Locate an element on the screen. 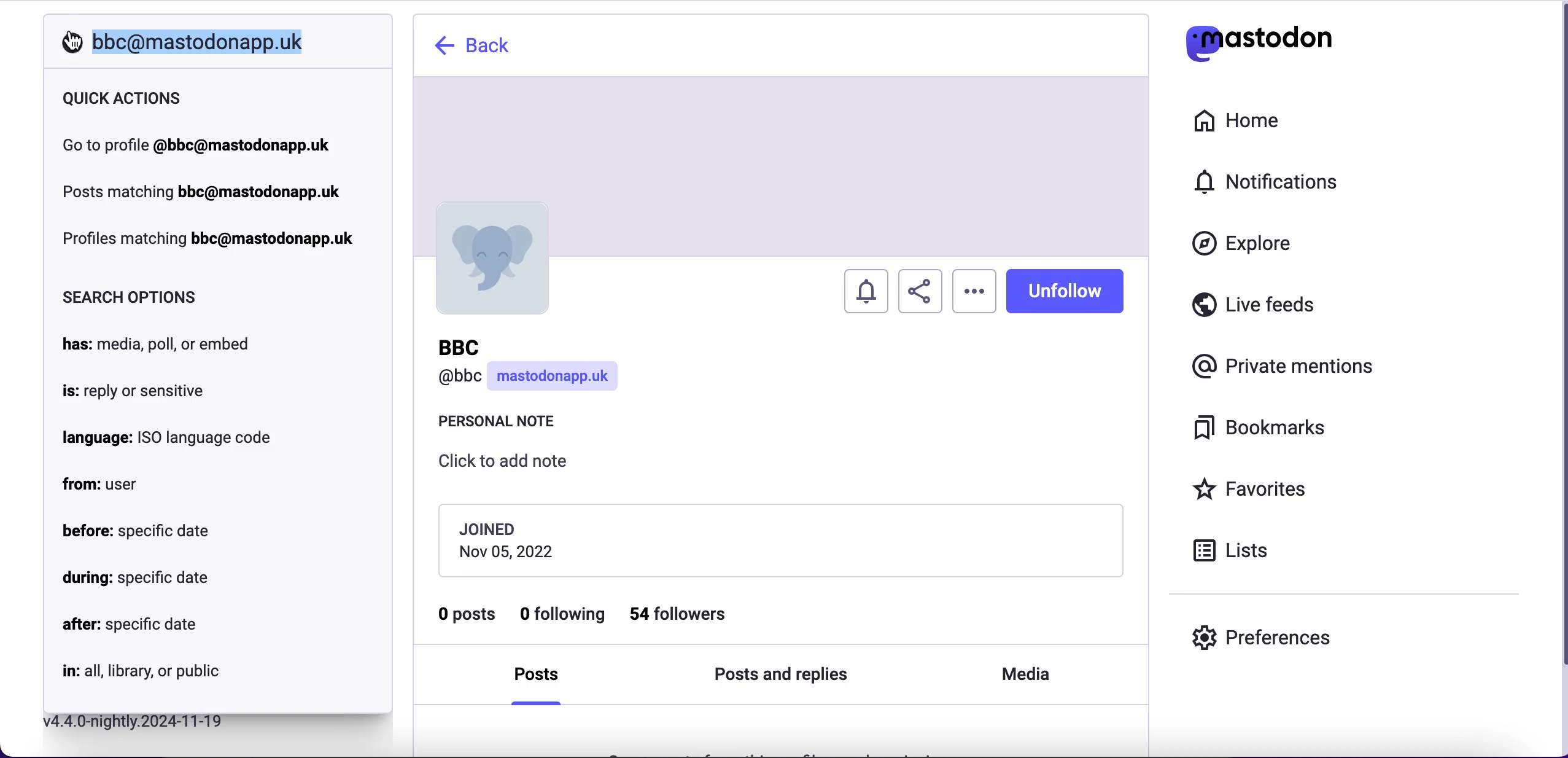  quick actions is located at coordinates (123, 98).